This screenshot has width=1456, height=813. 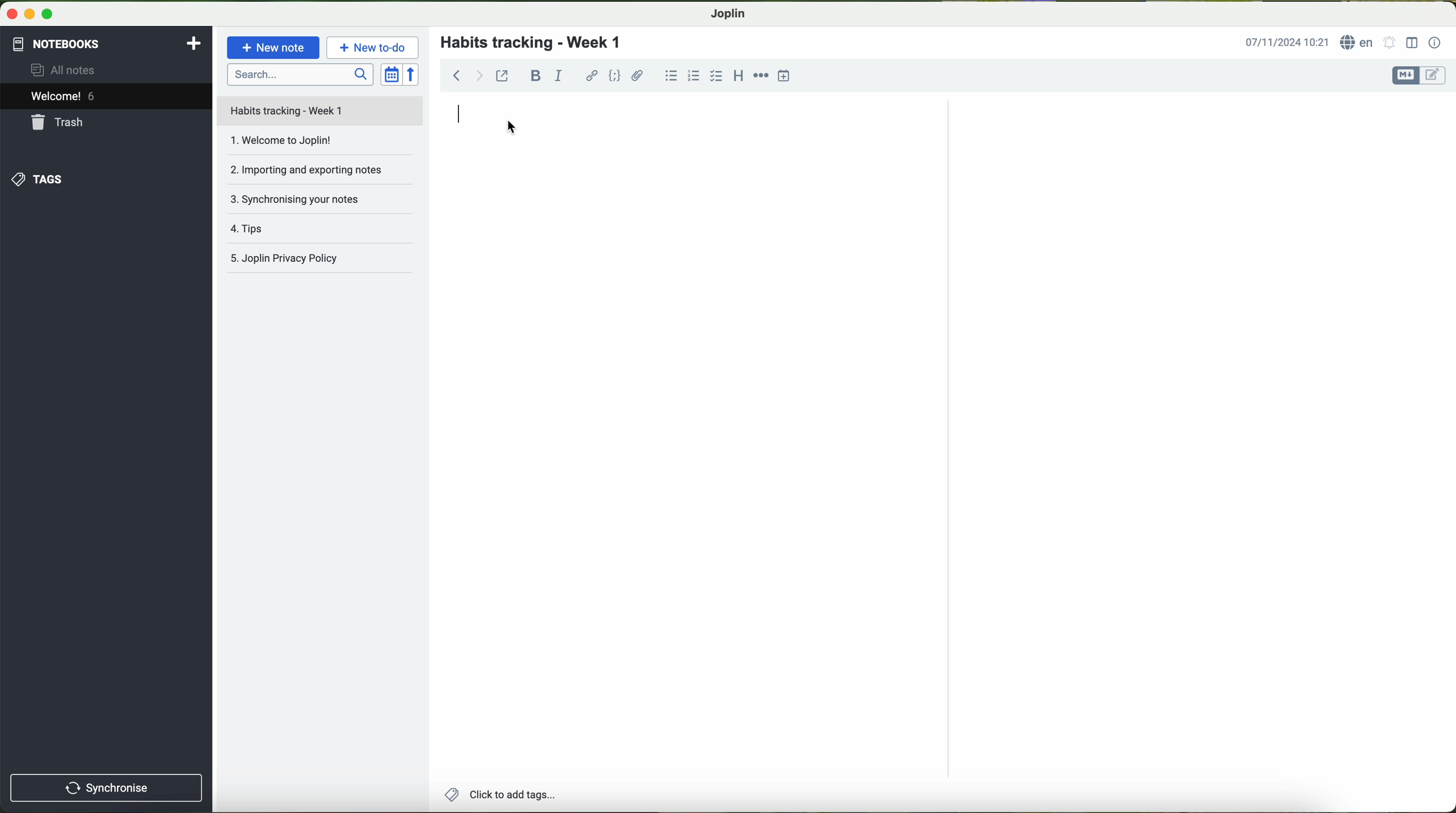 What do you see at coordinates (1390, 42) in the screenshot?
I see `set alarm` at bounding box center [1390, 42].